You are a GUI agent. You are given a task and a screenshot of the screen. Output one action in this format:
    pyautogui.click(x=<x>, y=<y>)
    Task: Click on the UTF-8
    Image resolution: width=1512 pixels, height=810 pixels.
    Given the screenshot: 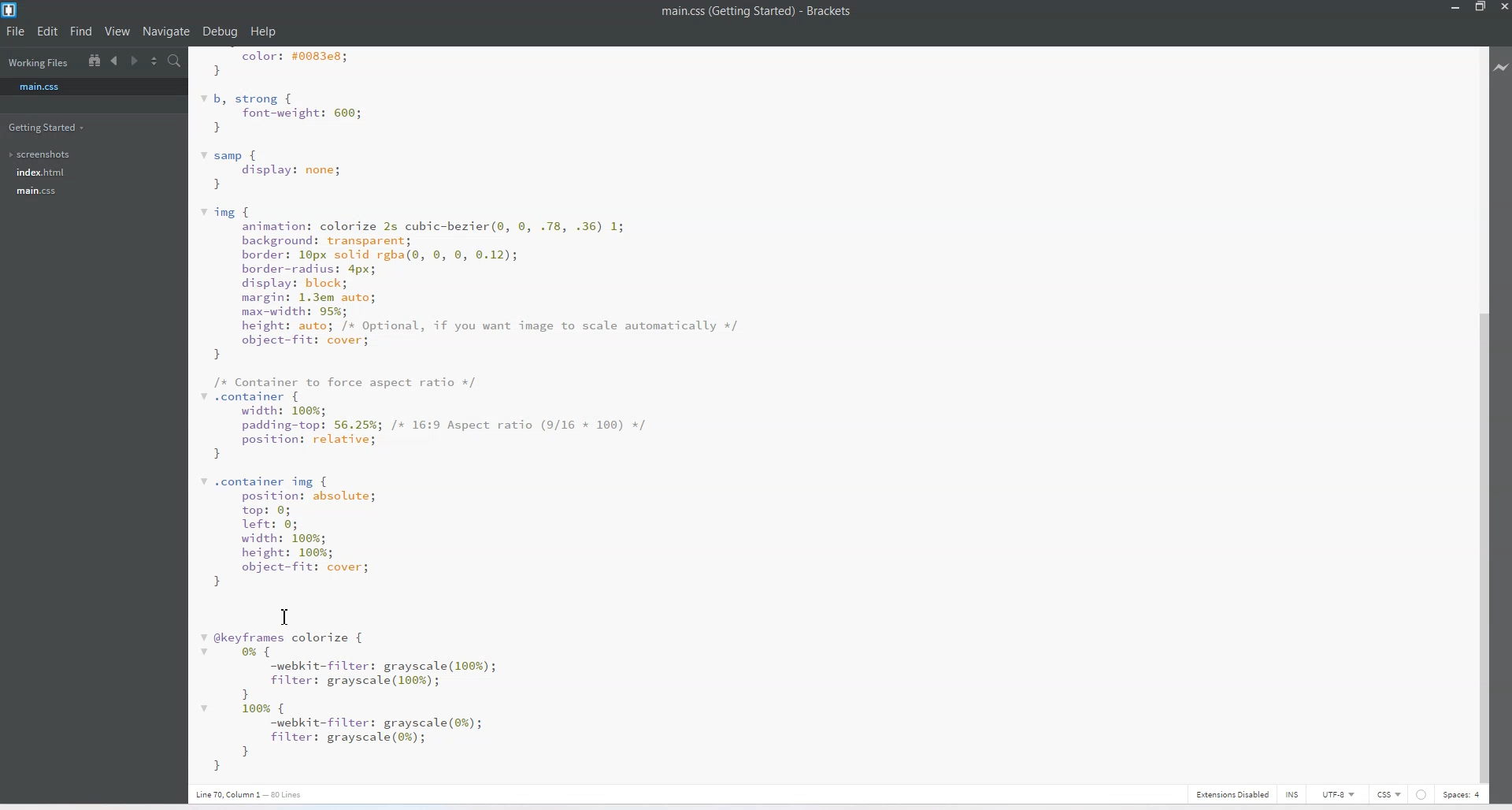 What is the action you would take?
    pyautogui.click(x=1339, y=794)
    